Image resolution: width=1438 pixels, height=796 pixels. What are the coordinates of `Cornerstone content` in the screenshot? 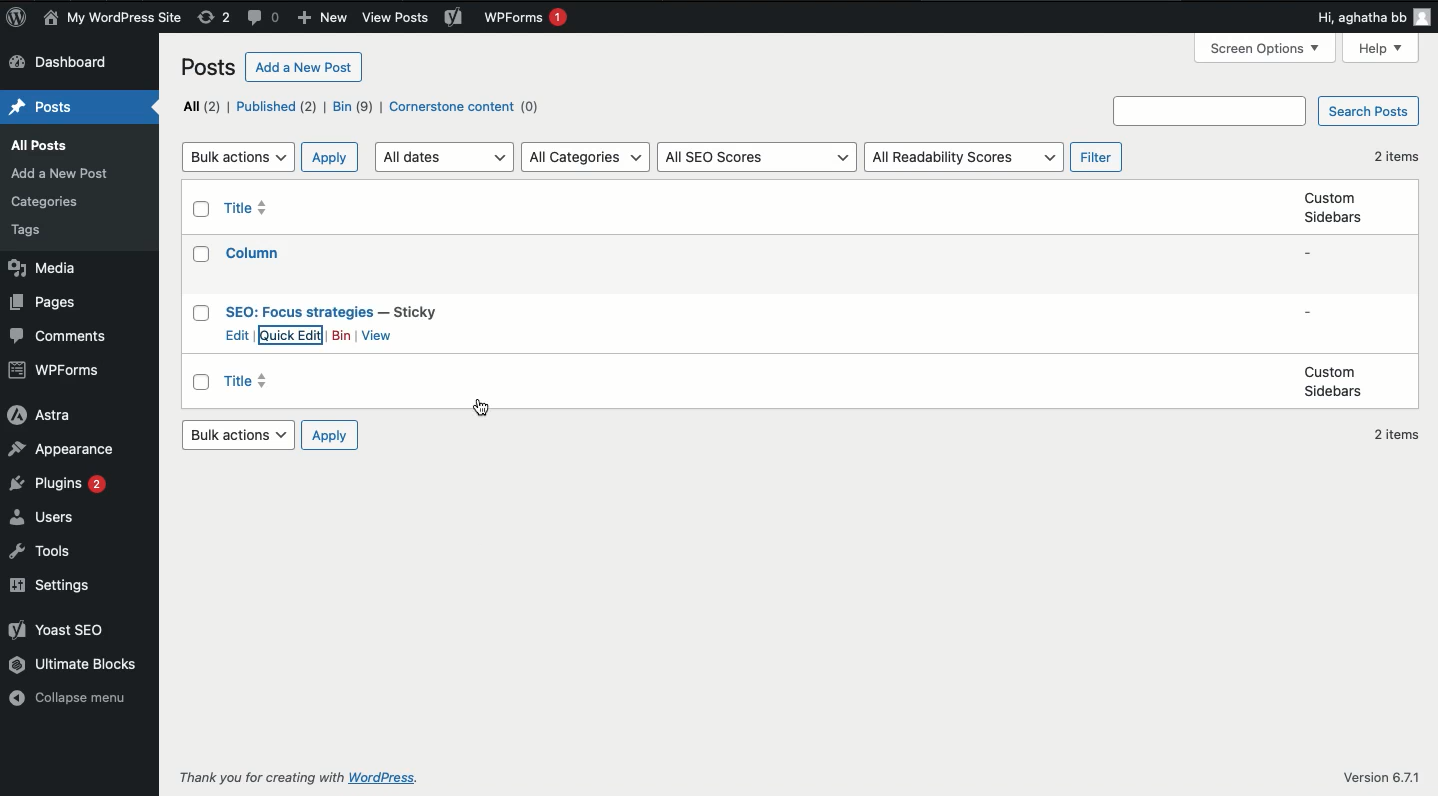 It's located at (468, 108).